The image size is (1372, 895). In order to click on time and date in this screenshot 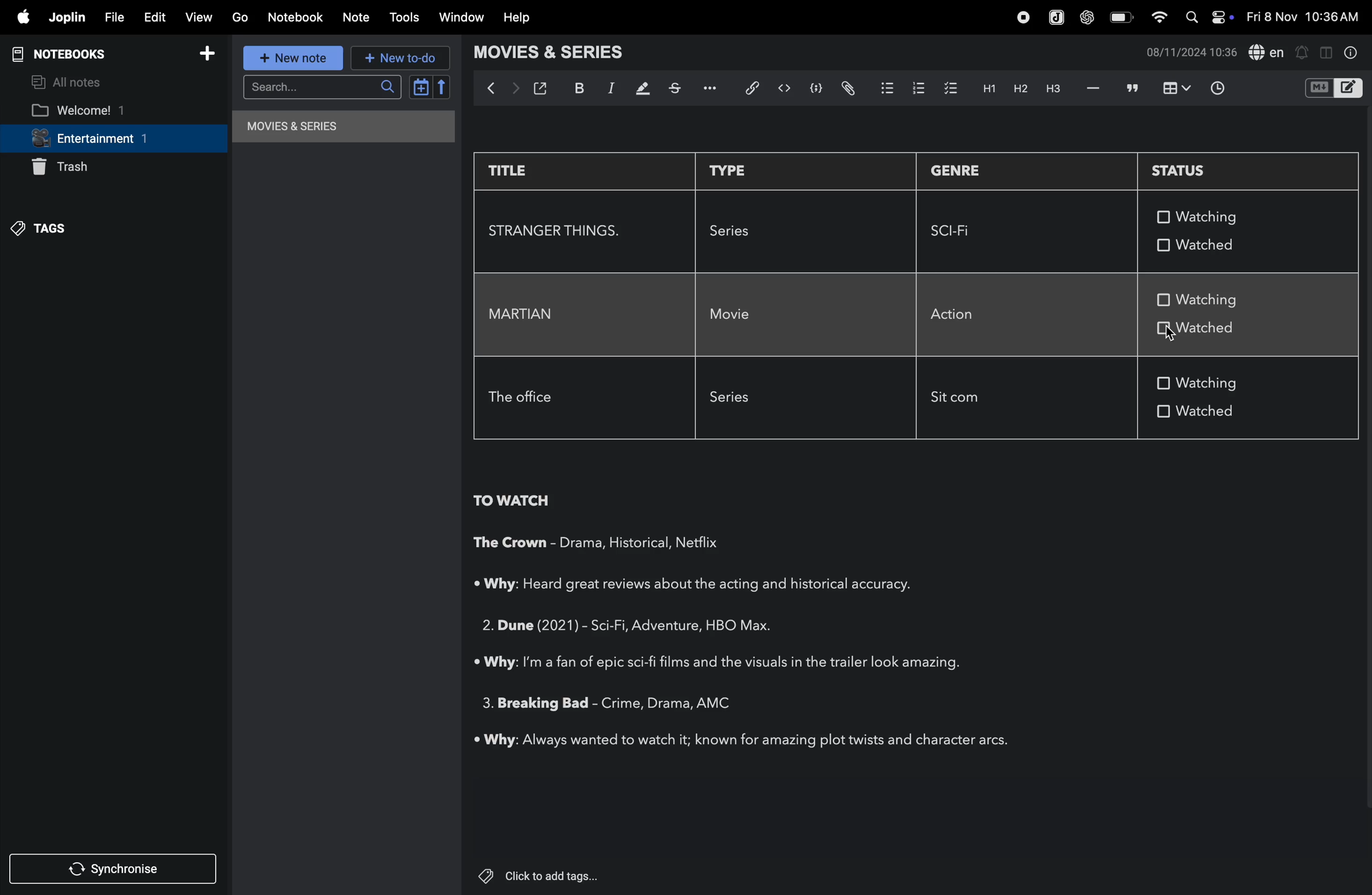, I will do `click(1302, 17)`.